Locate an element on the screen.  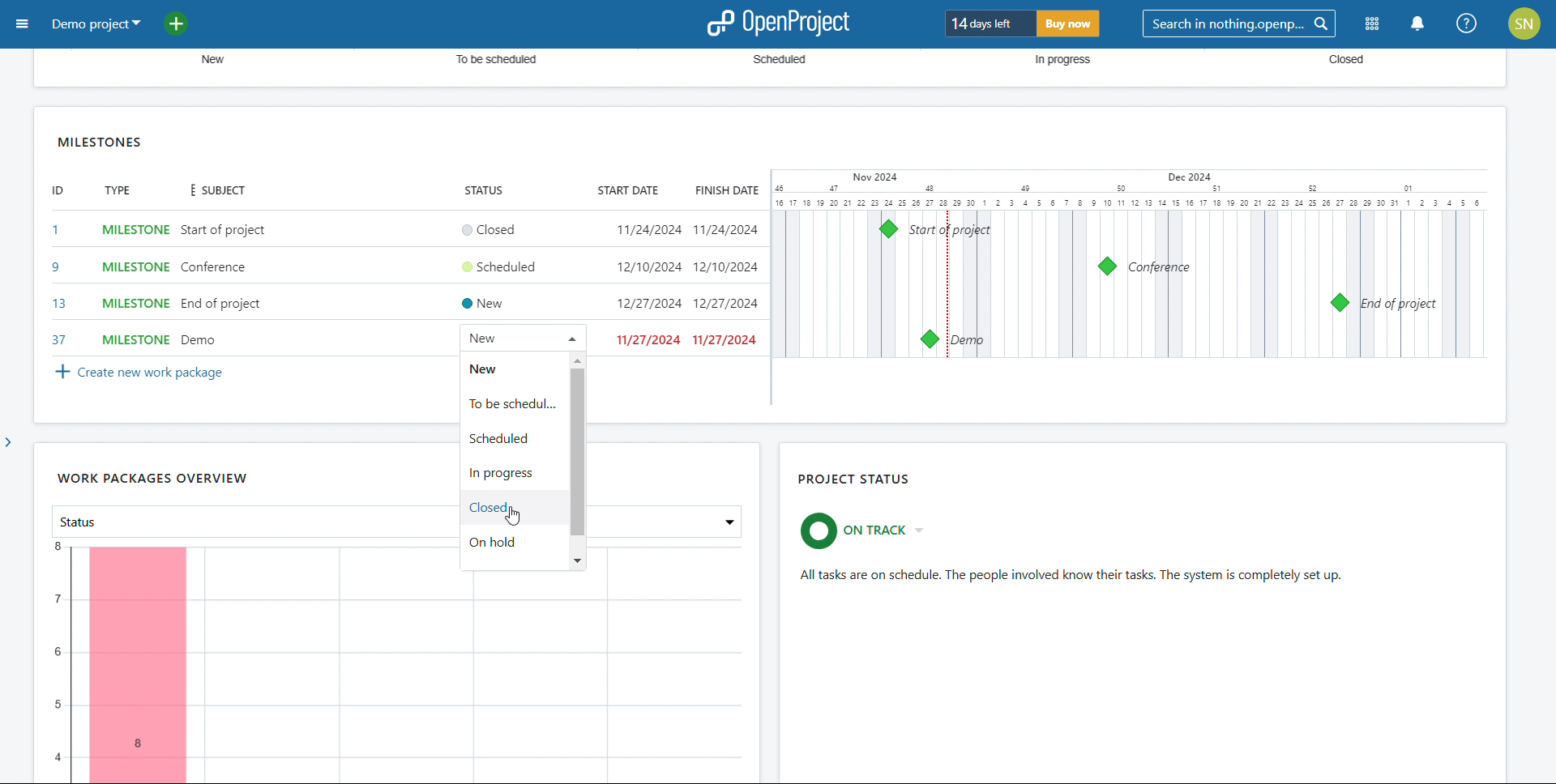
milestone 9 is located at coordinates (1108, 266).